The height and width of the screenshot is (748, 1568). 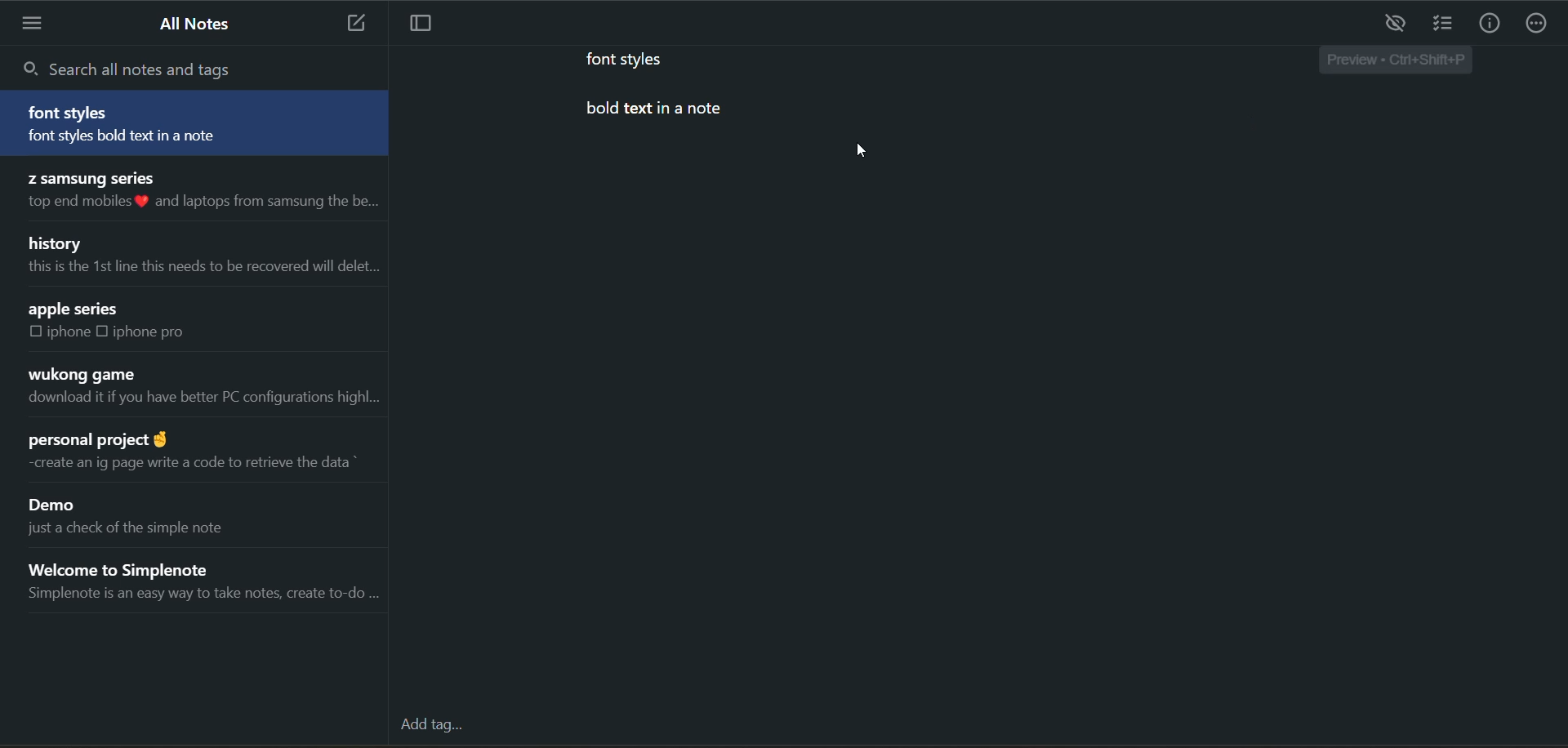 I want to click on preview, so click(x=1397, y=24).